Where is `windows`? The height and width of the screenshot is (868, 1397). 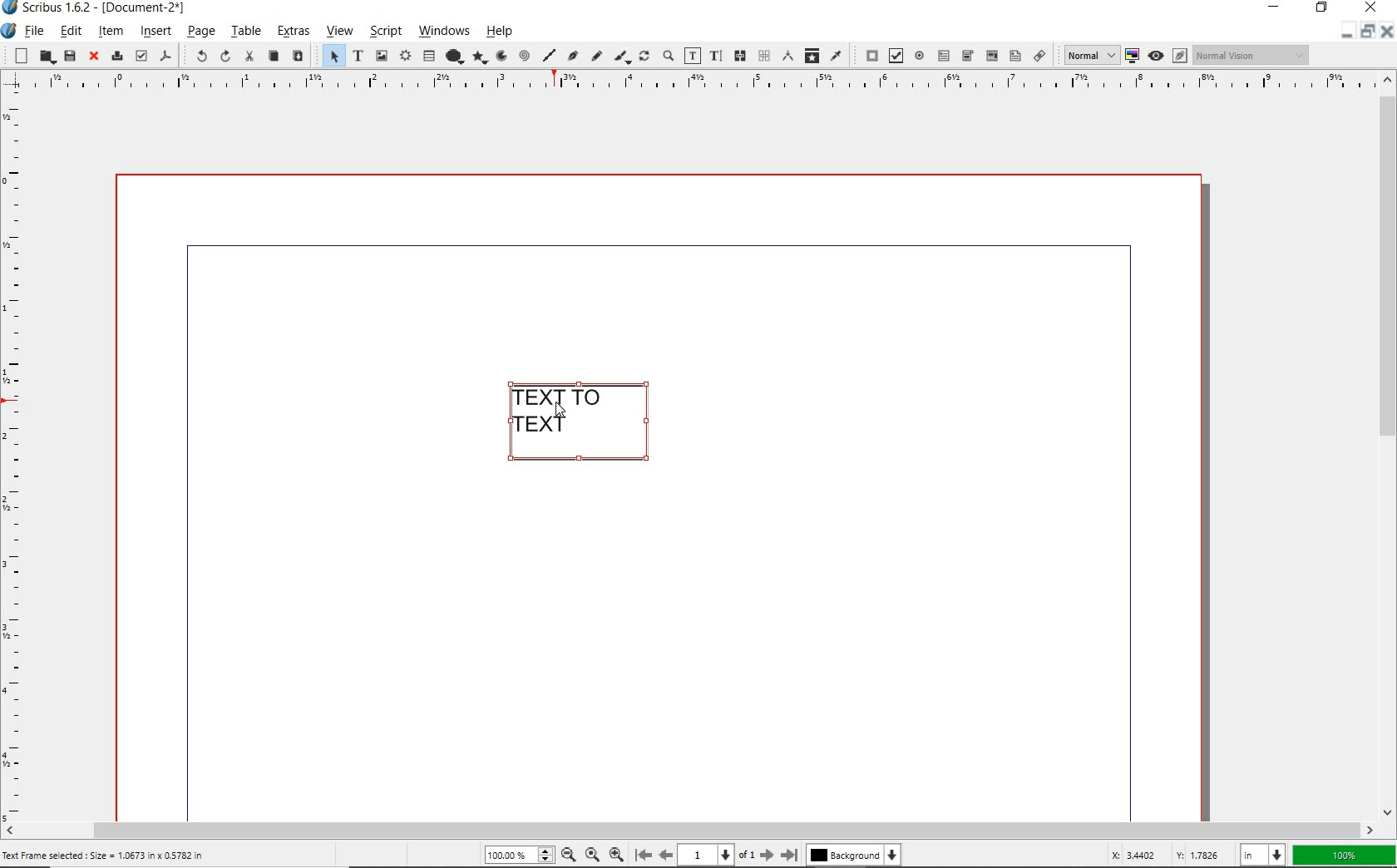 windows is located at coordinates (444, 32).